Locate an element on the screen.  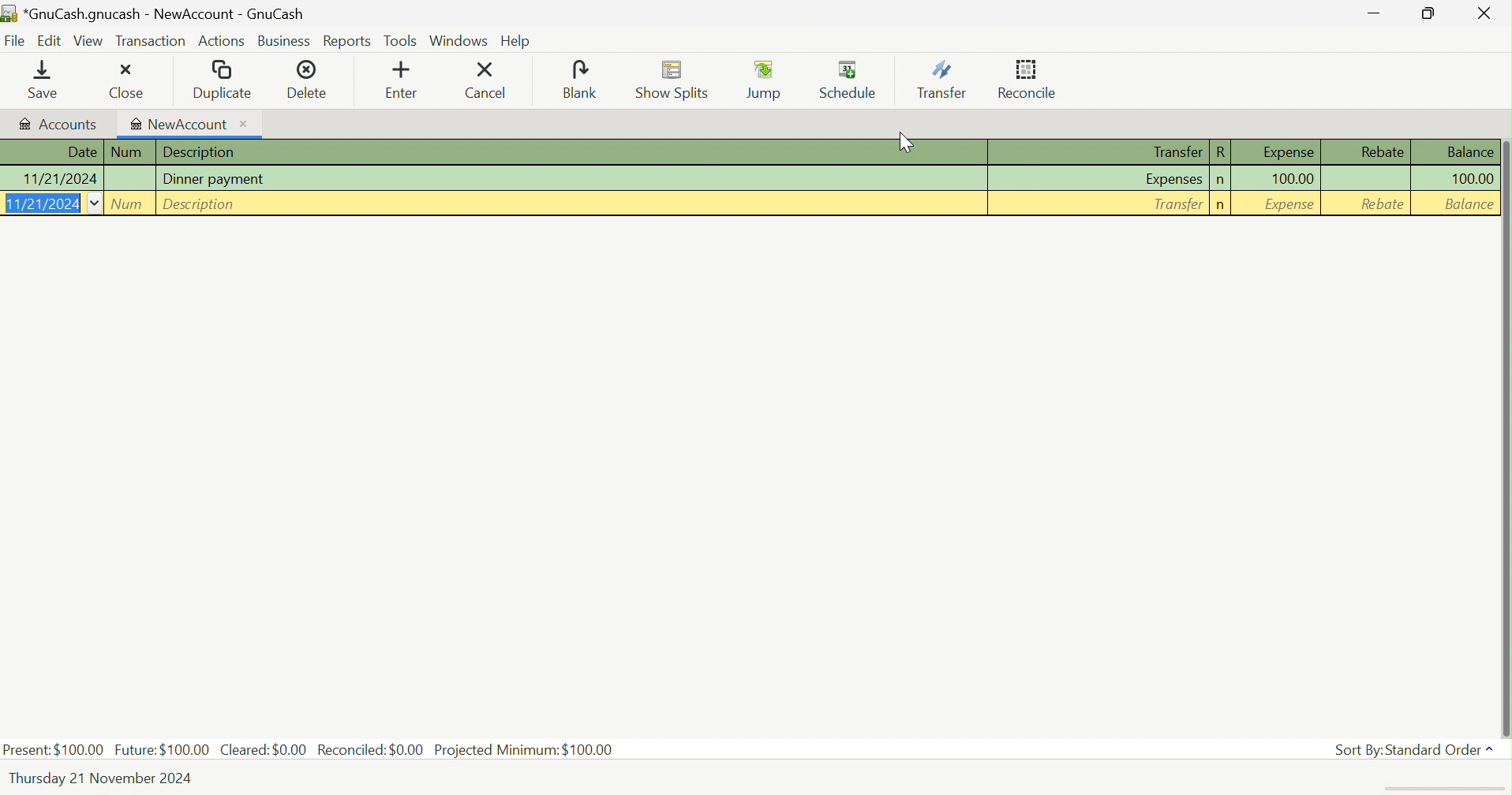
Enter is located at coordinates (403, 80).